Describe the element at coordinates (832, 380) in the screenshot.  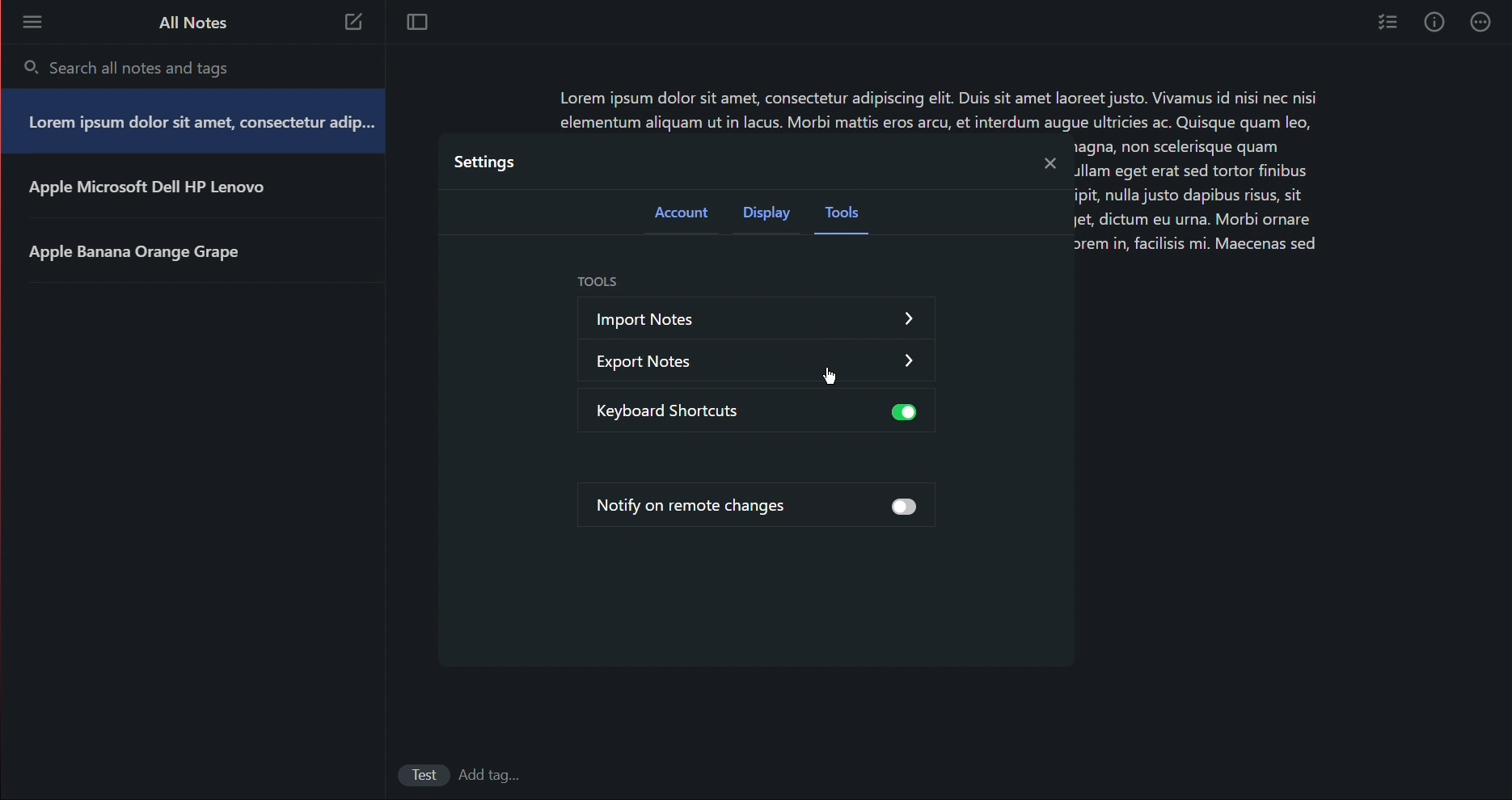
I see `cursor` at that location.